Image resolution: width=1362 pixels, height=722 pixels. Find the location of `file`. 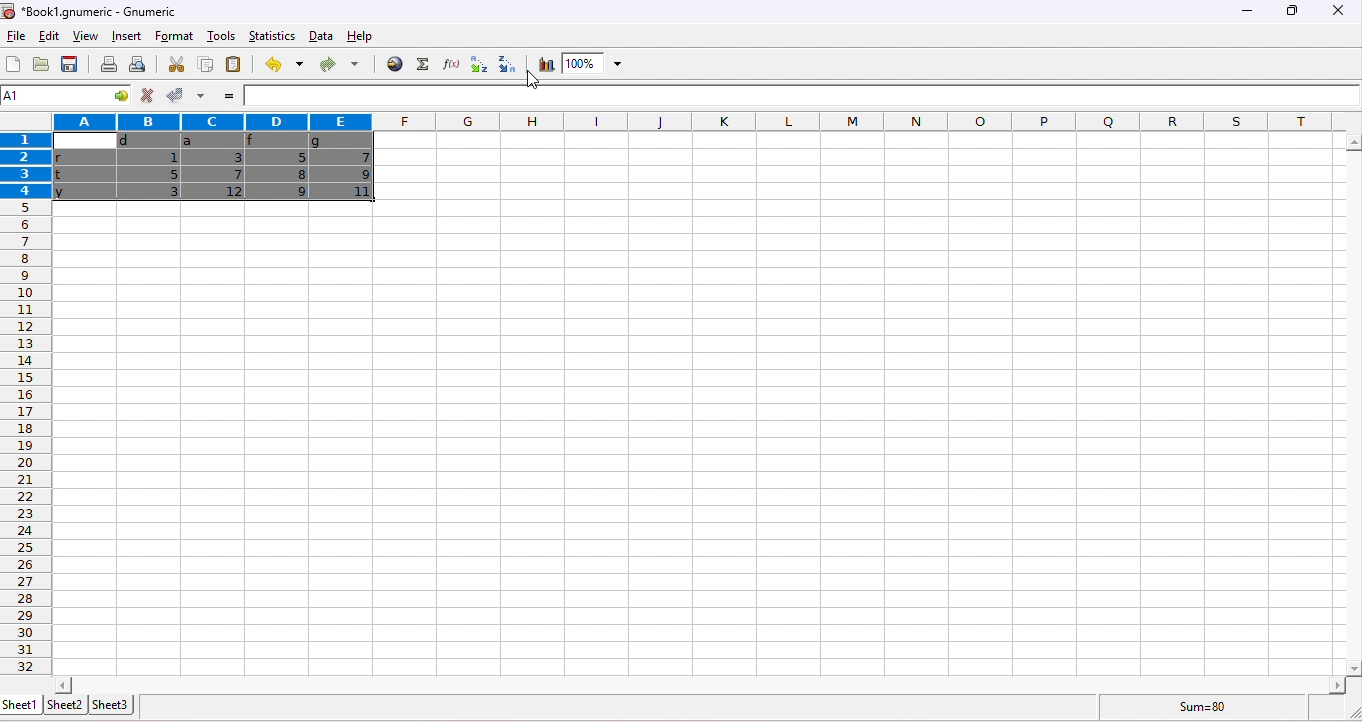

file is located at coordinates (14, 36).